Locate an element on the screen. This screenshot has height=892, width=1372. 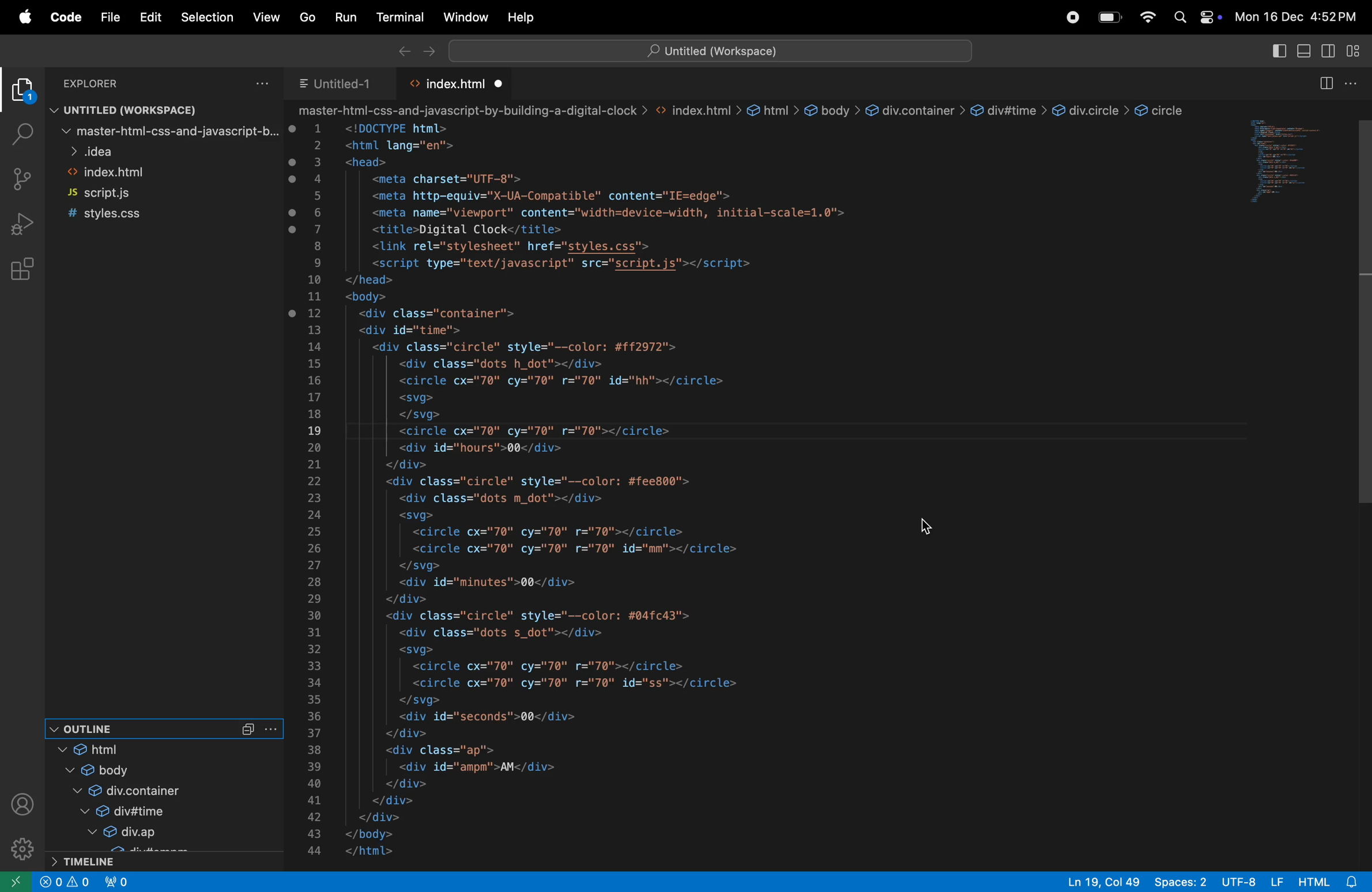
settings is located at coordinates (21, 846).